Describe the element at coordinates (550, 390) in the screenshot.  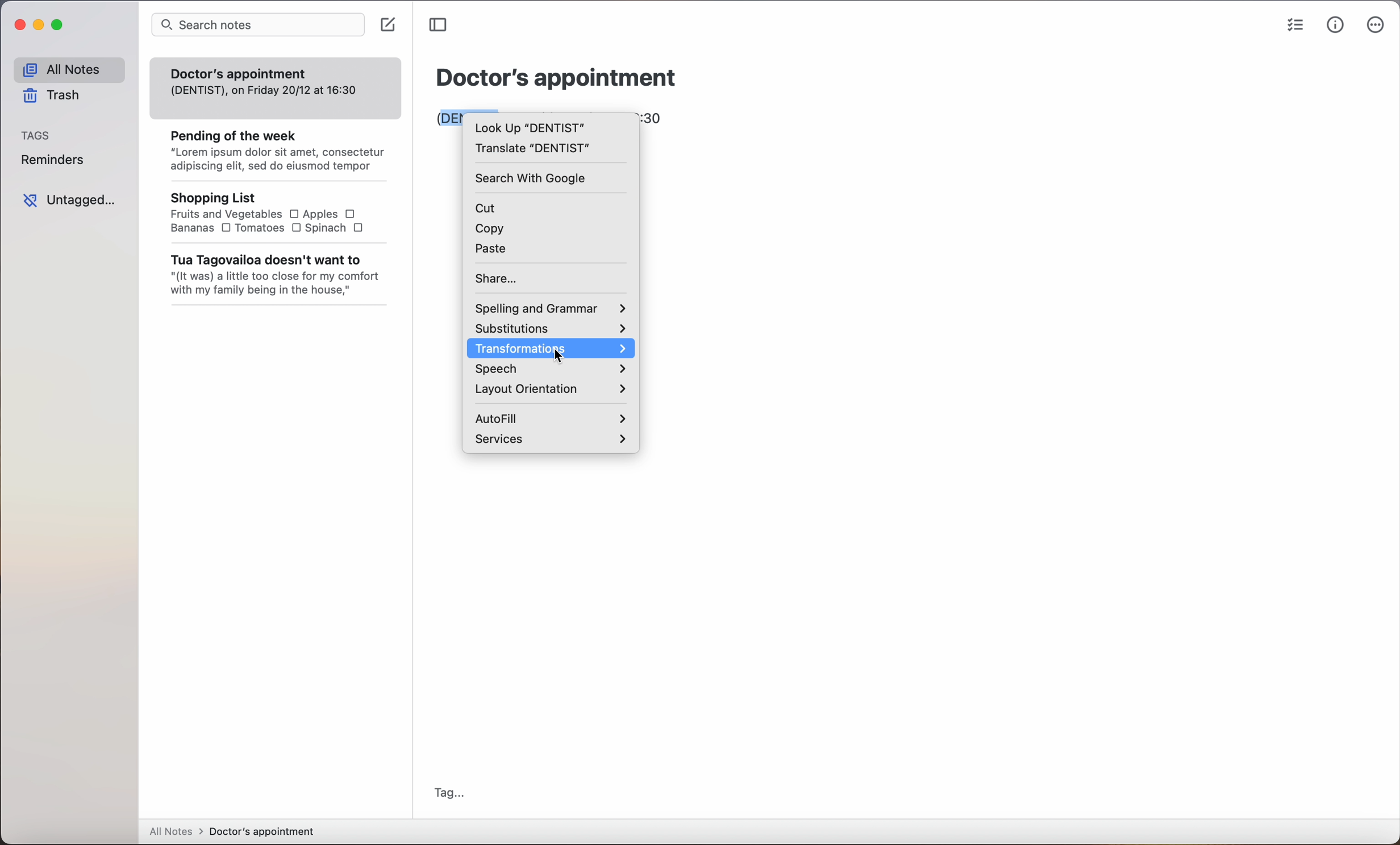
I see `layout orientarion` at that location.